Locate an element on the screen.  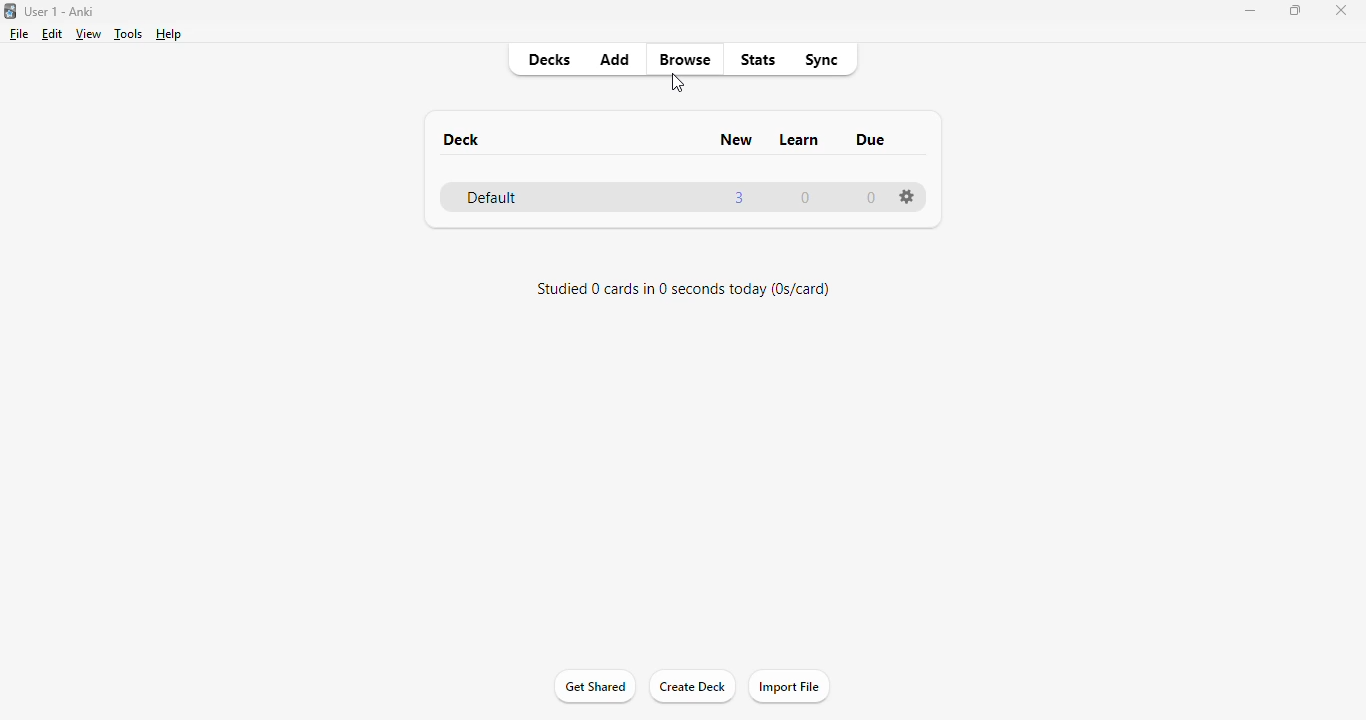
due is located at coordinates (872, 139).